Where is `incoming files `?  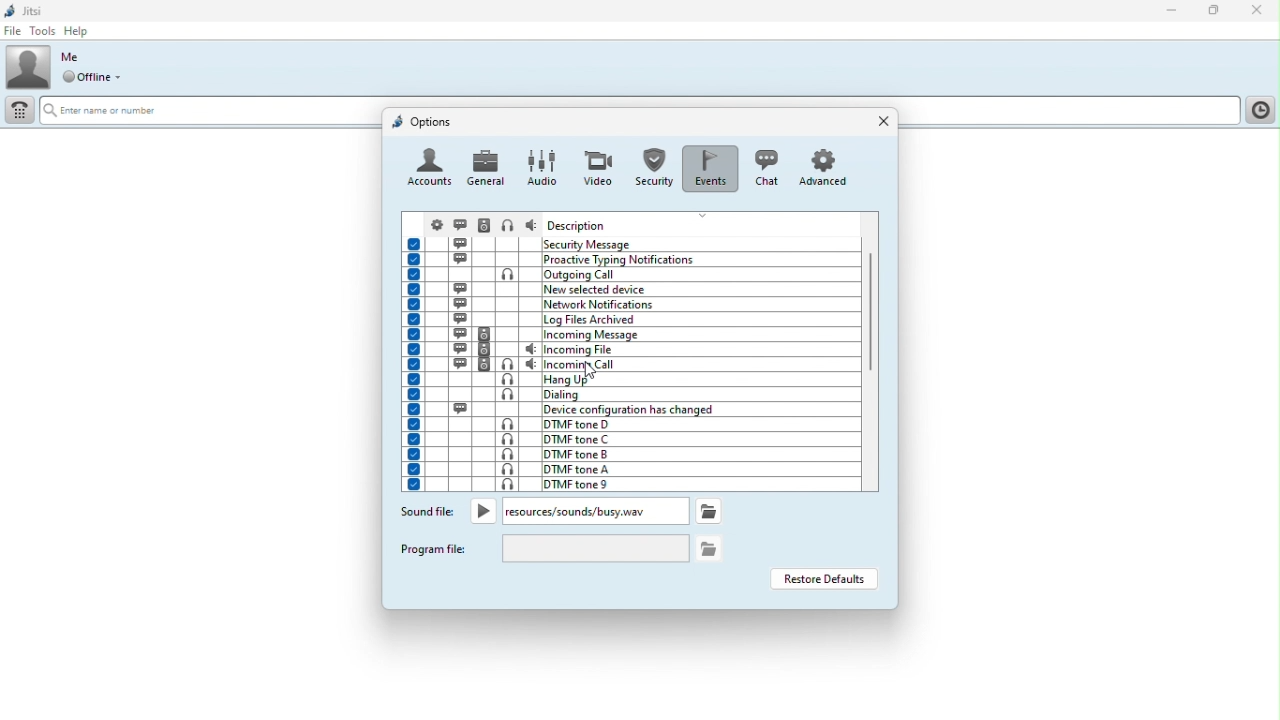
incoming files  is located at coordinates (630, 350).